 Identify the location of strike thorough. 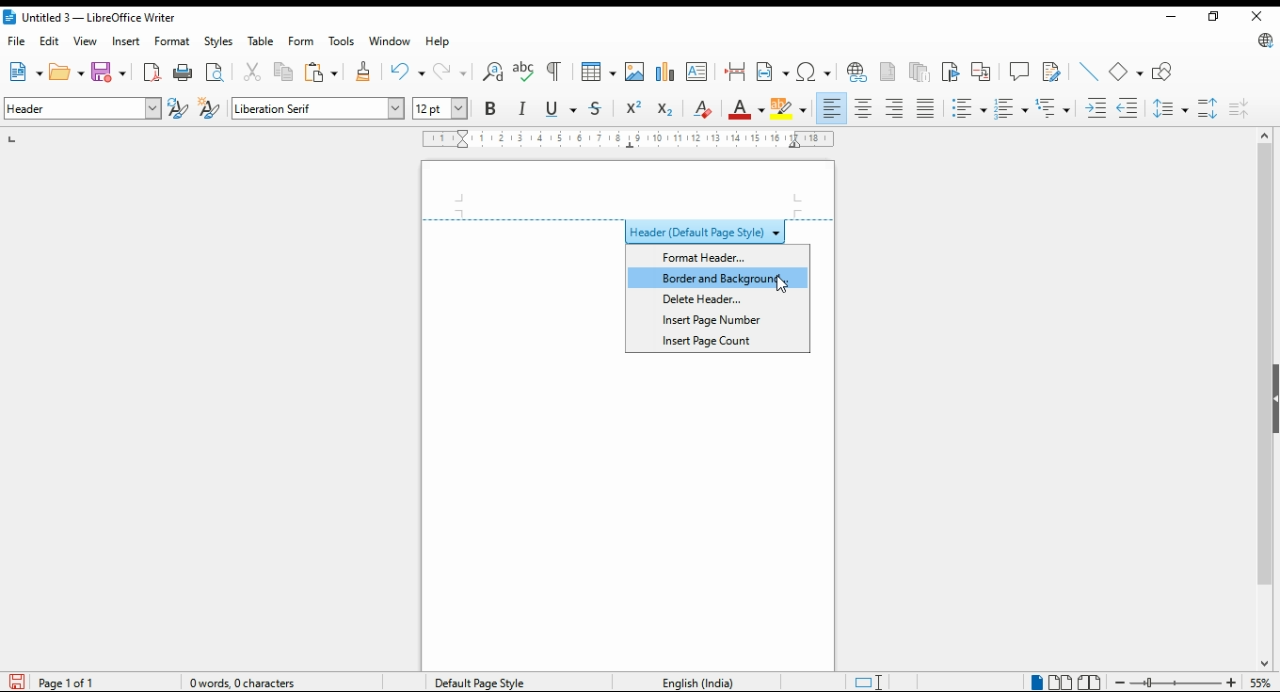
(597, 109).